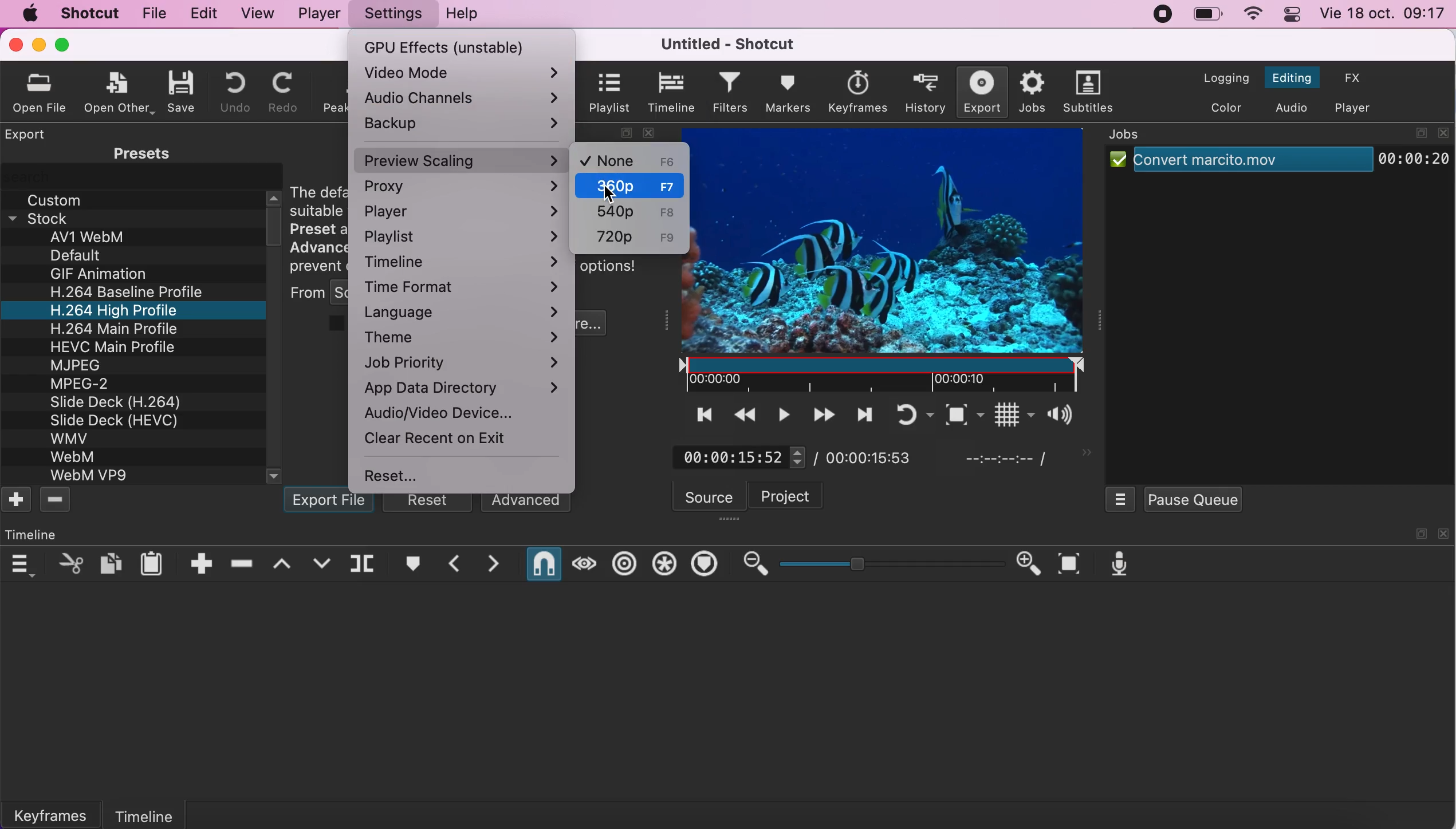  Describe the element at coordinates (1419, 132) in the screenshot. I see `maximize` at that location.